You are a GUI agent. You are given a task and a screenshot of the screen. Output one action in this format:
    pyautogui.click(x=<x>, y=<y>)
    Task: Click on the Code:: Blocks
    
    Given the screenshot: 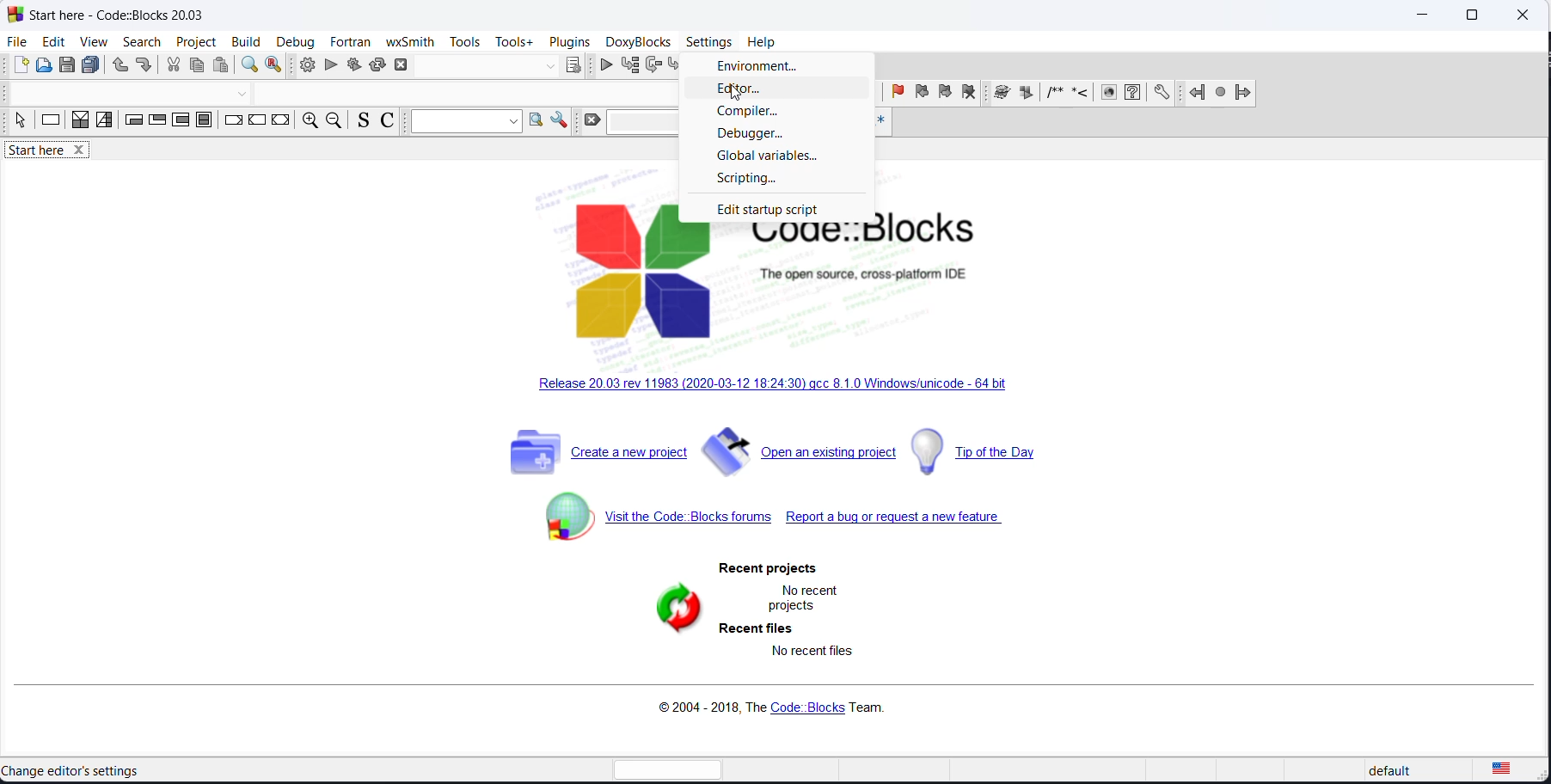 What is the action you would take?
    pyautogui.click(x=773, y=280)
    